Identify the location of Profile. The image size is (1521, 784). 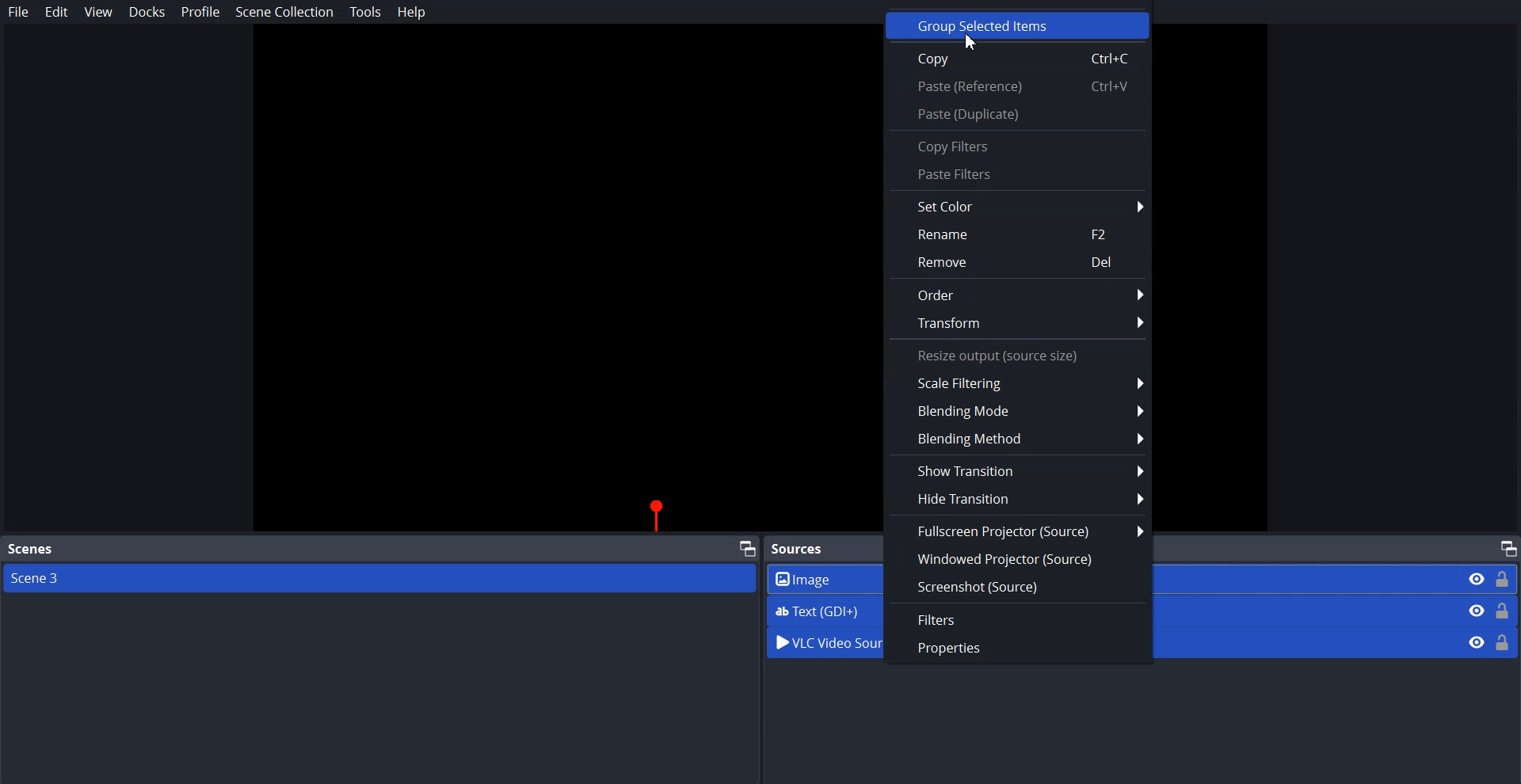
(201, 11).